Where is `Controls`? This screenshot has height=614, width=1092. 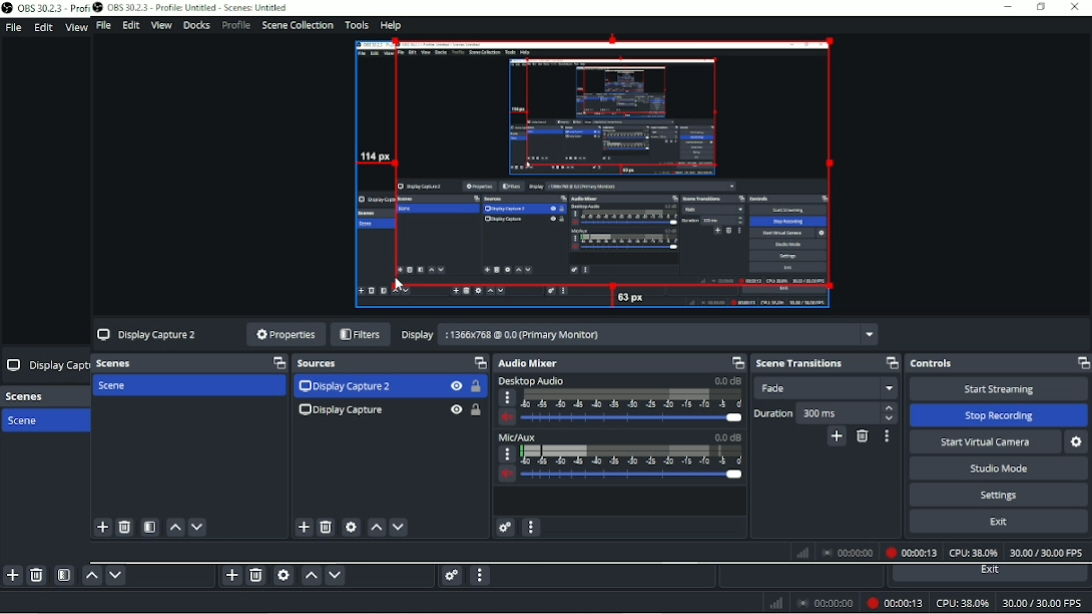 Controls is located at coordinates (938, 364).